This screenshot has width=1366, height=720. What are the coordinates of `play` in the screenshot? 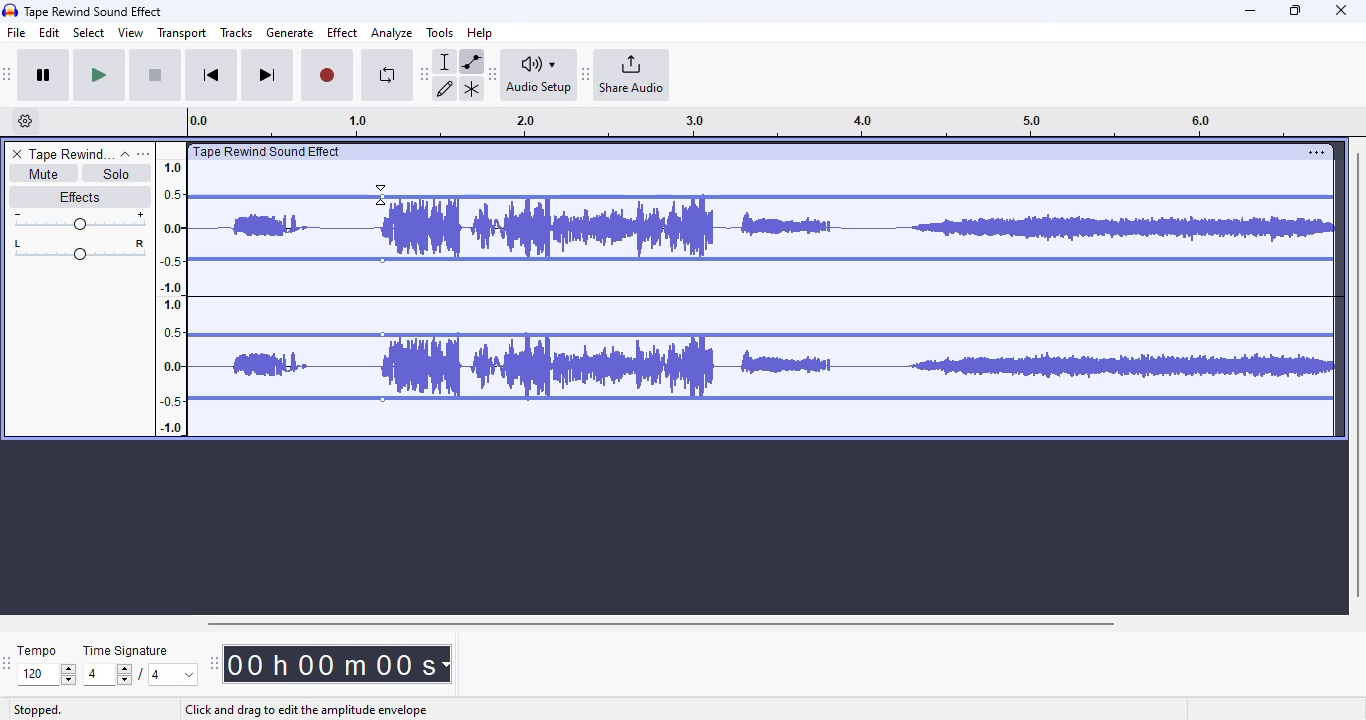 It's located at (99, 76).